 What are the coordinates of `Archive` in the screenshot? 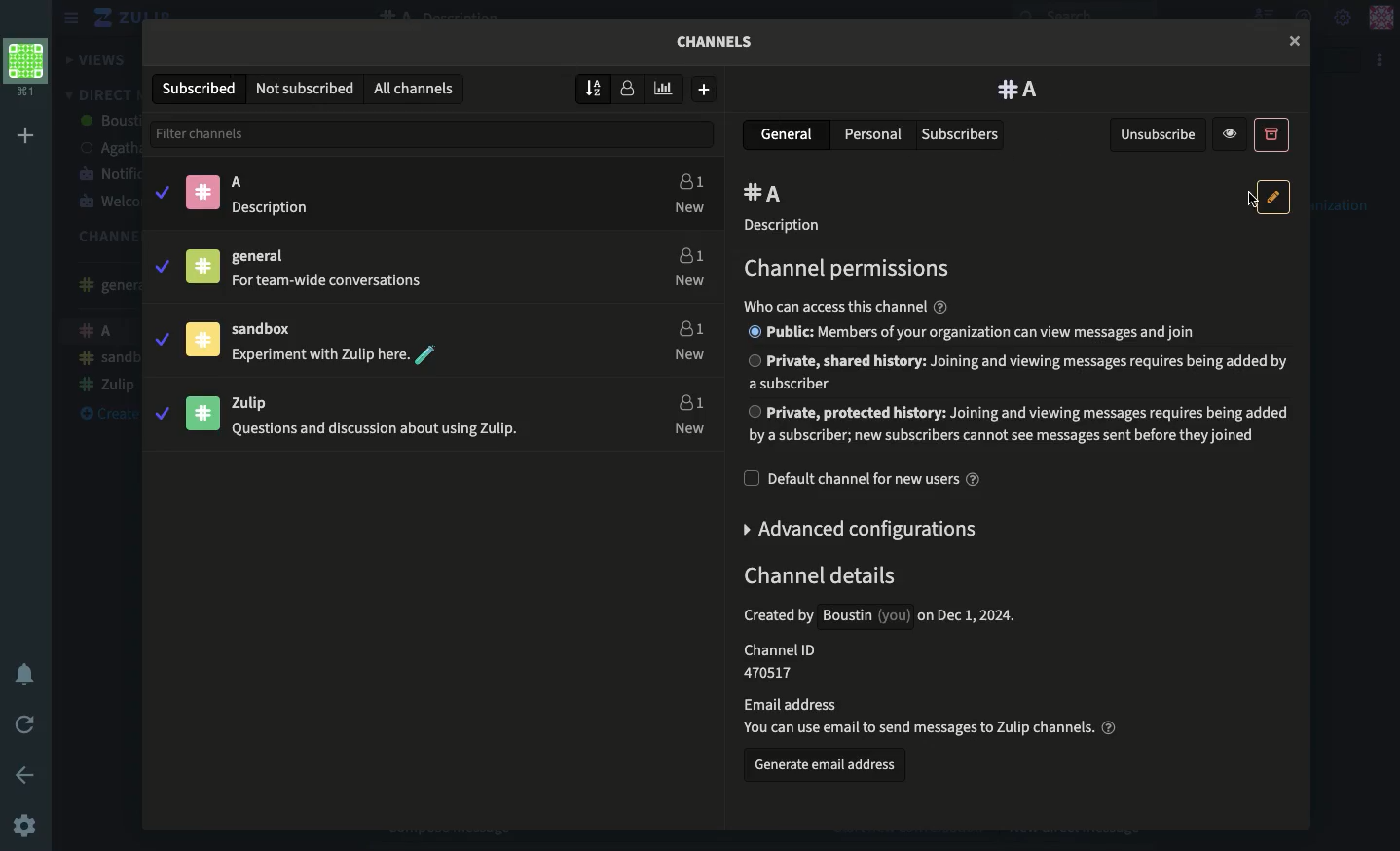 It's located at (1271, 133).